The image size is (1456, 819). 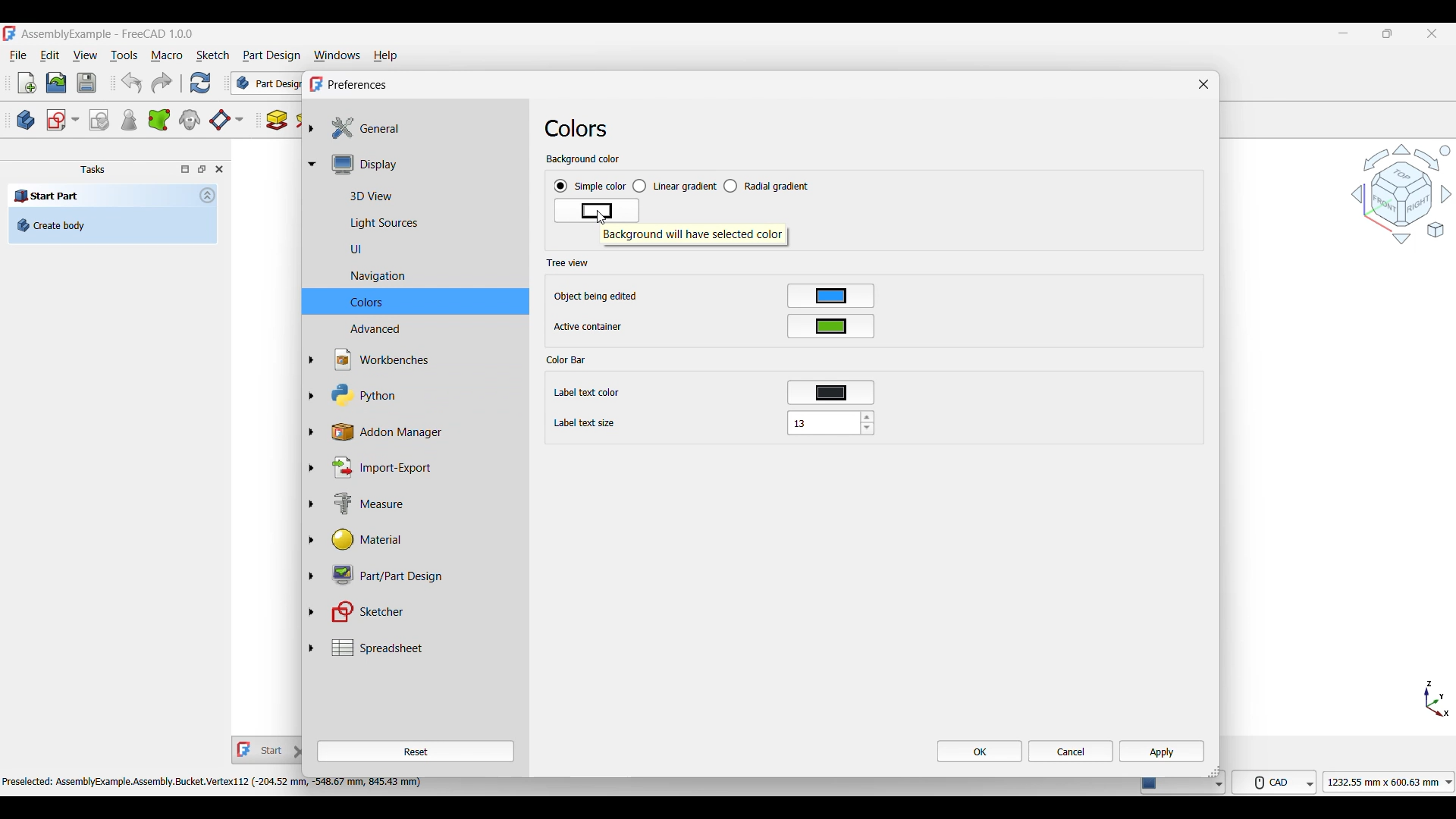 I want to click on OK, so click(x=980, y=751).